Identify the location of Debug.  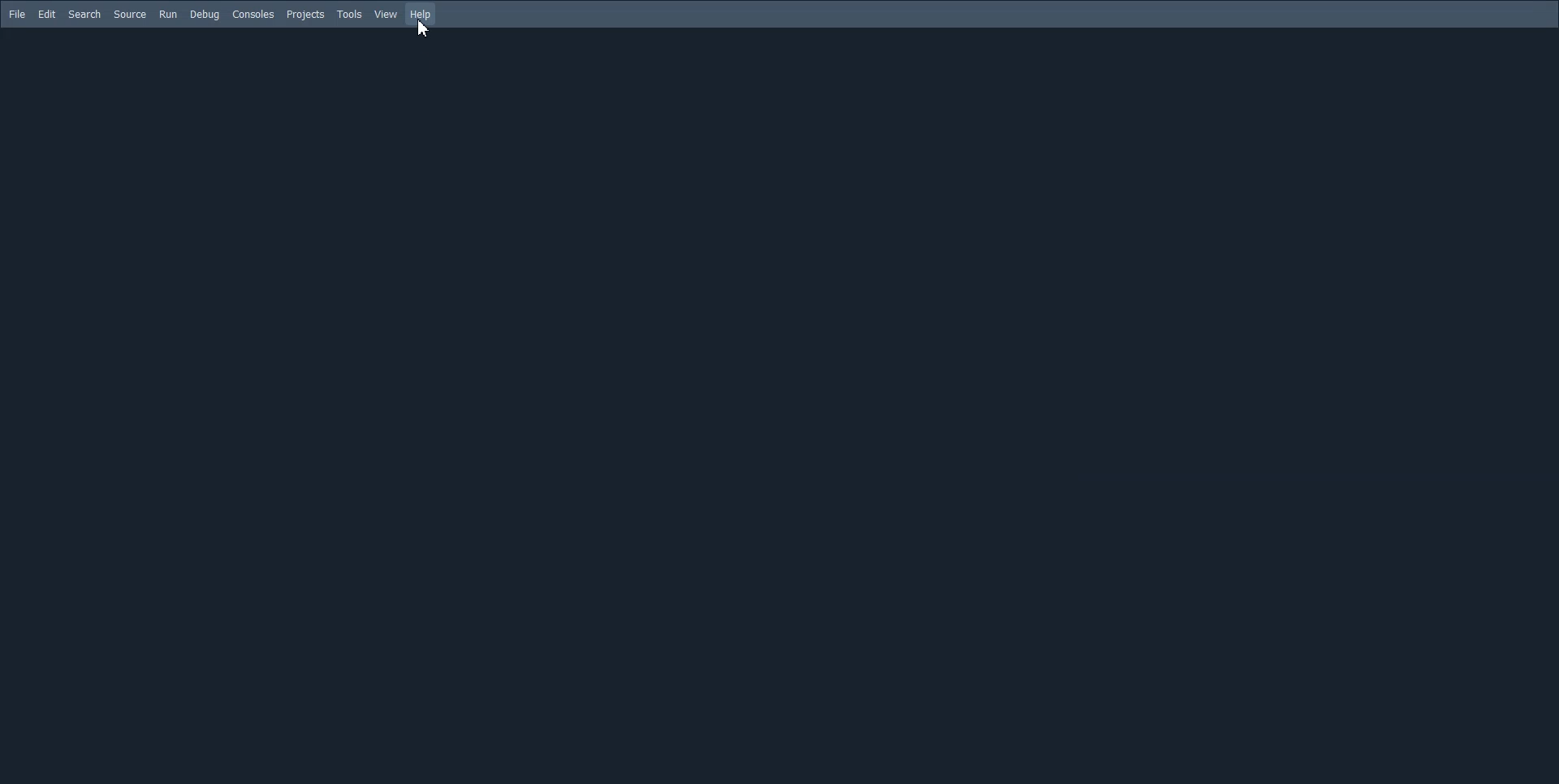
(205, 15).